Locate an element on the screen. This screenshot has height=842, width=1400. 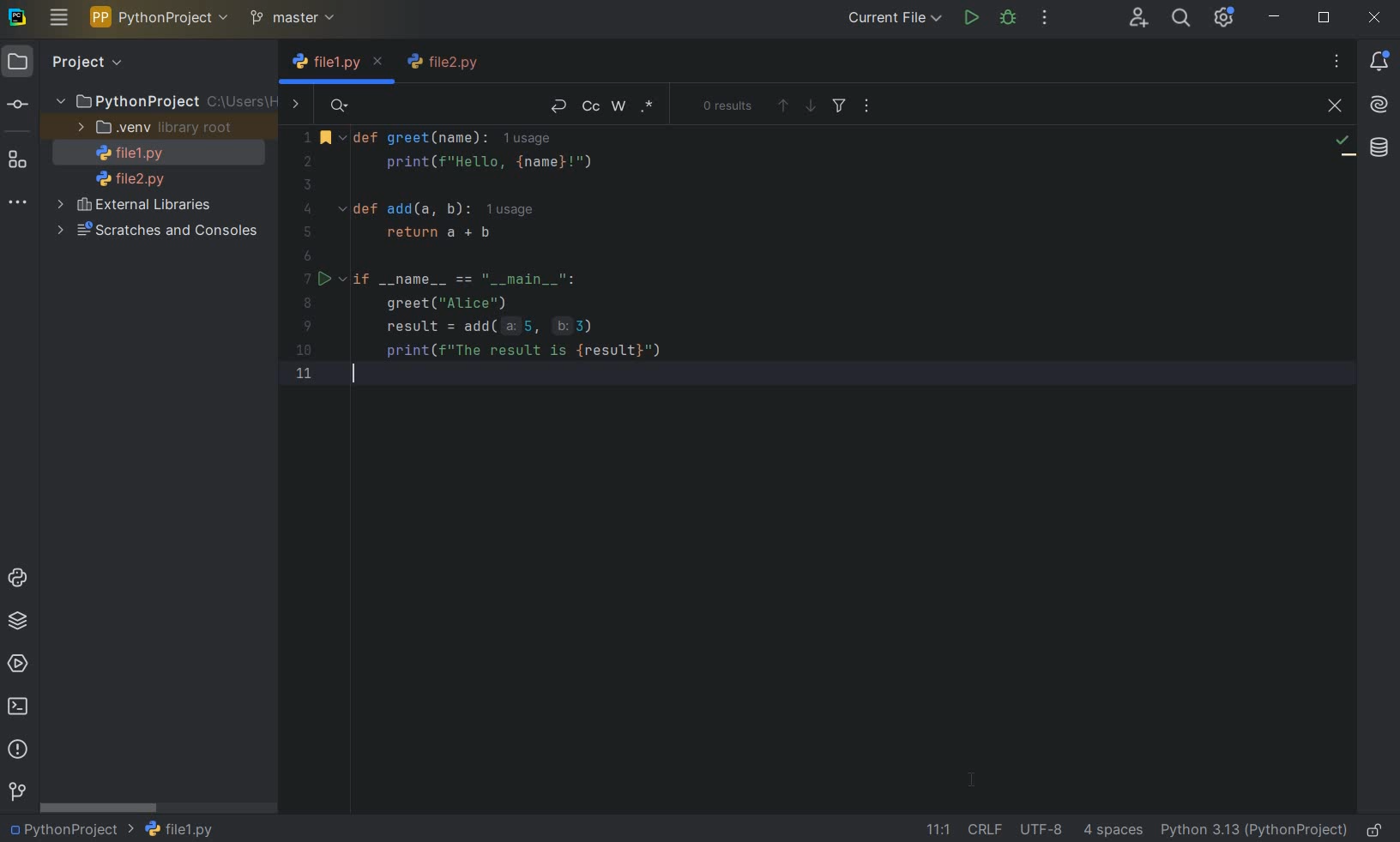
0 RESULTS is located at coordinates (728, 105).